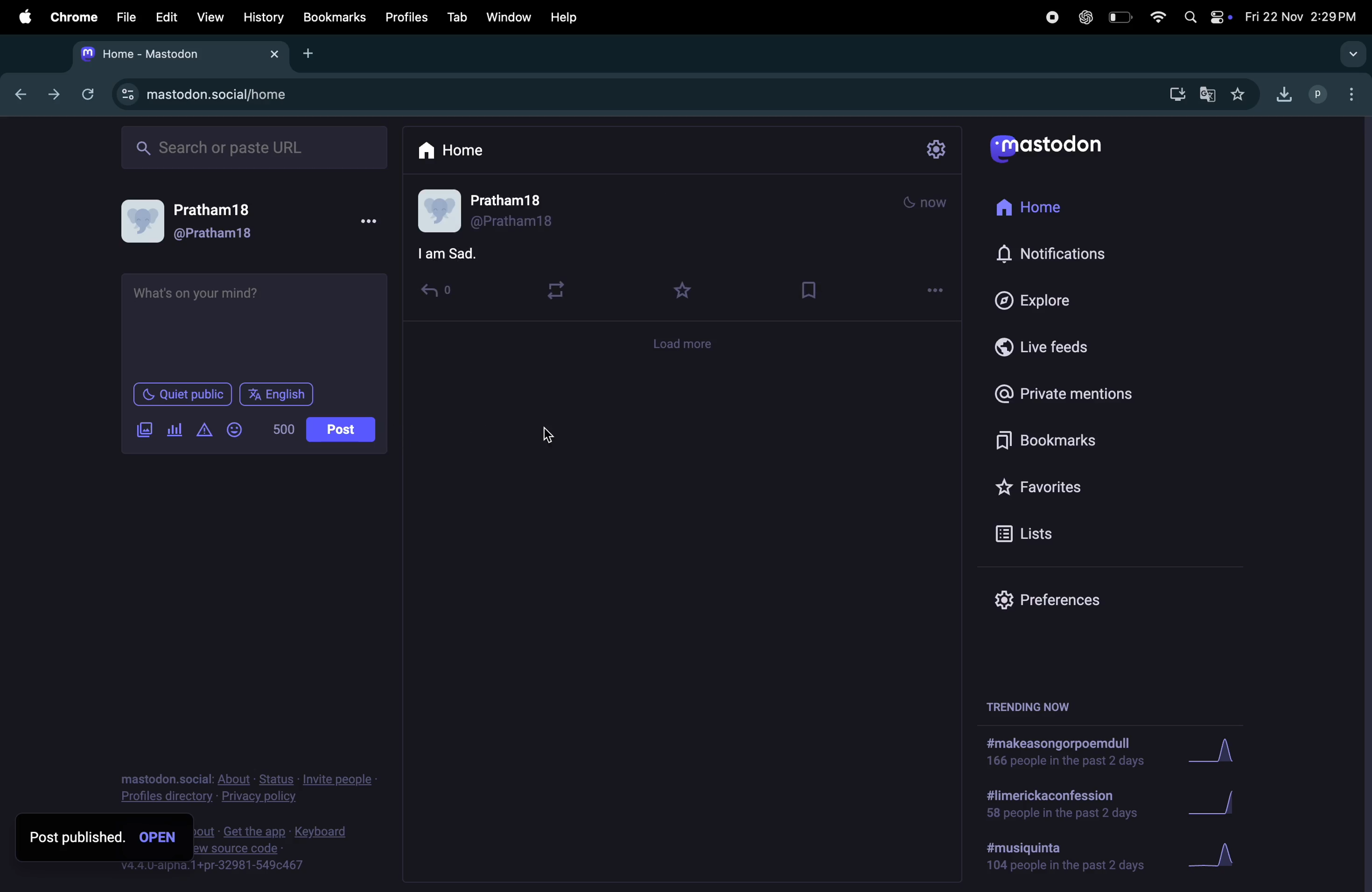 Image resolution: width=1372 pixels, height=892 pixels. Describe the element at coordinates (1251, 855) in the screenshot. I see `graphs` at that location.